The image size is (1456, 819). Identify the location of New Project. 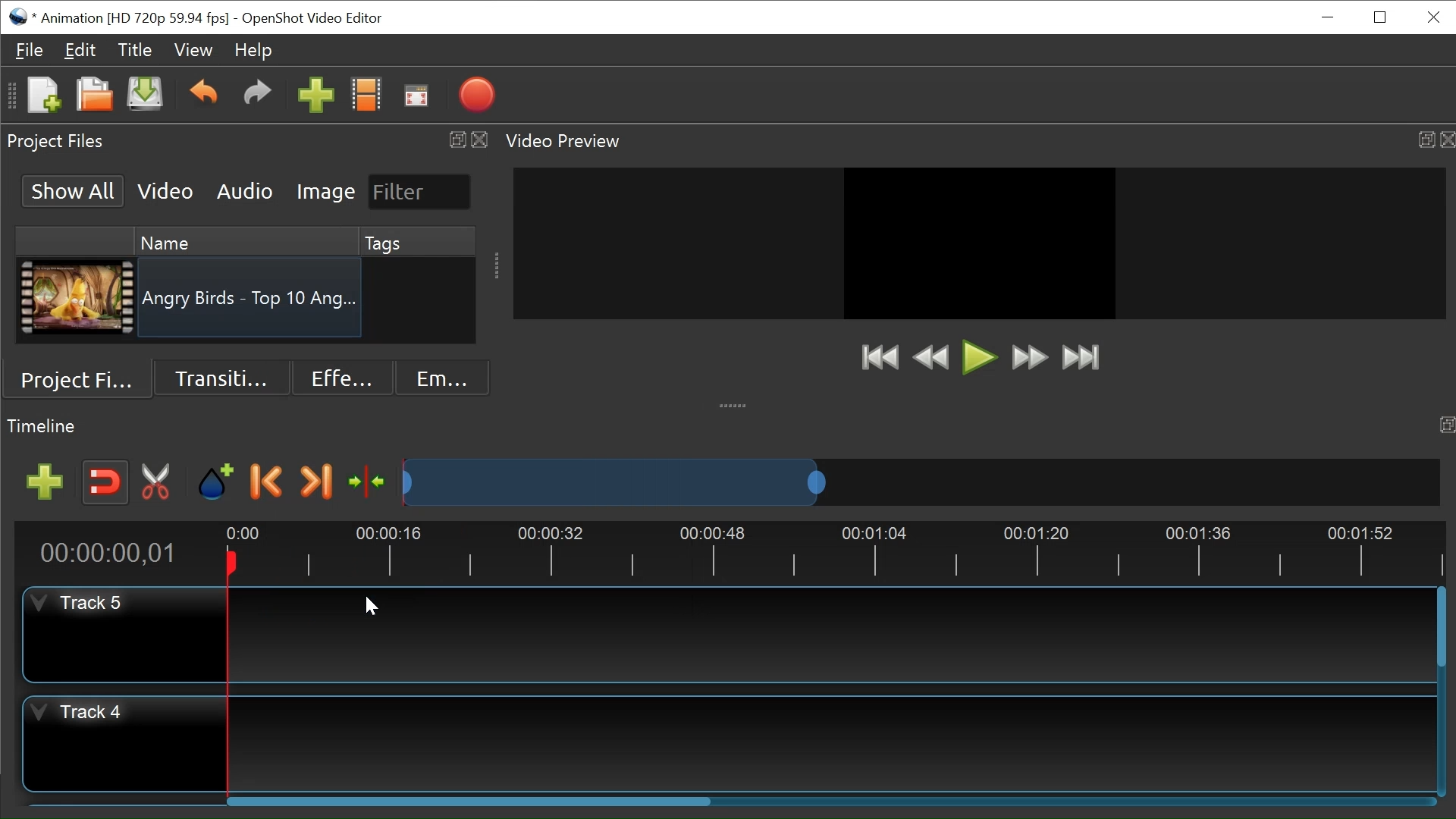
(43, 96).